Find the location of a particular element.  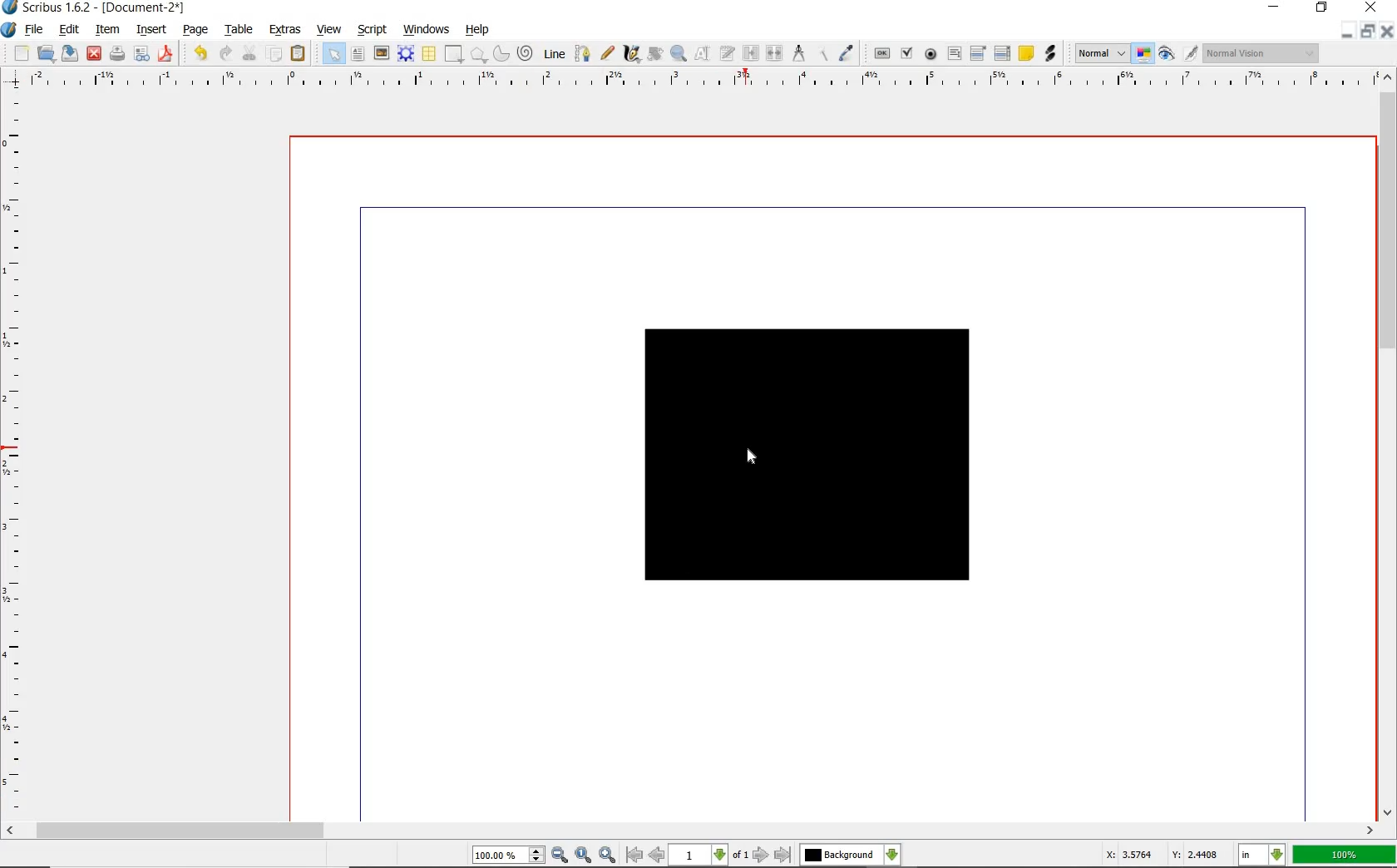

script is located at coordinates (373, 30).